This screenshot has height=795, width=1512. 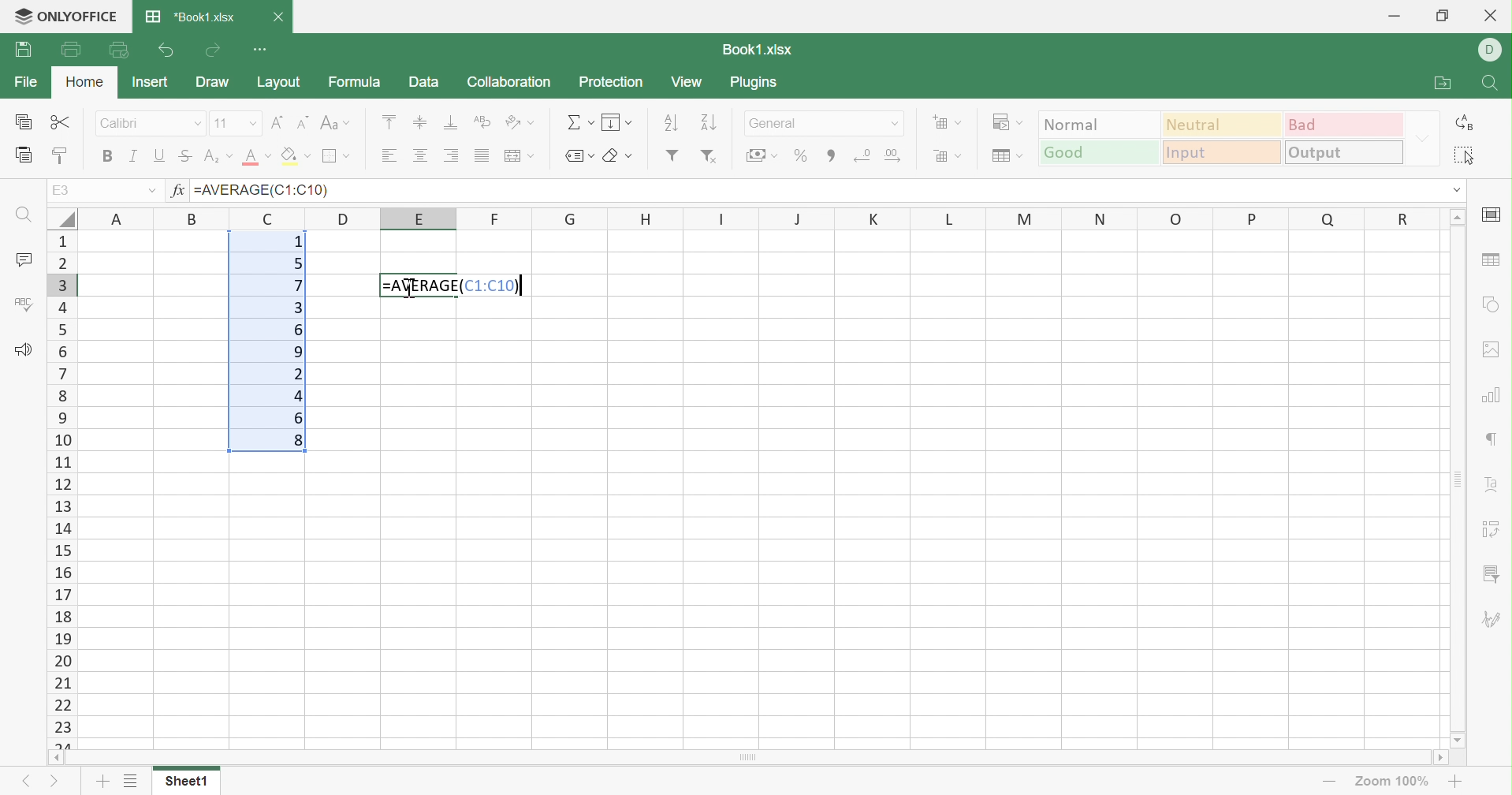 I want to click on 1, so click(x=296, y=243).